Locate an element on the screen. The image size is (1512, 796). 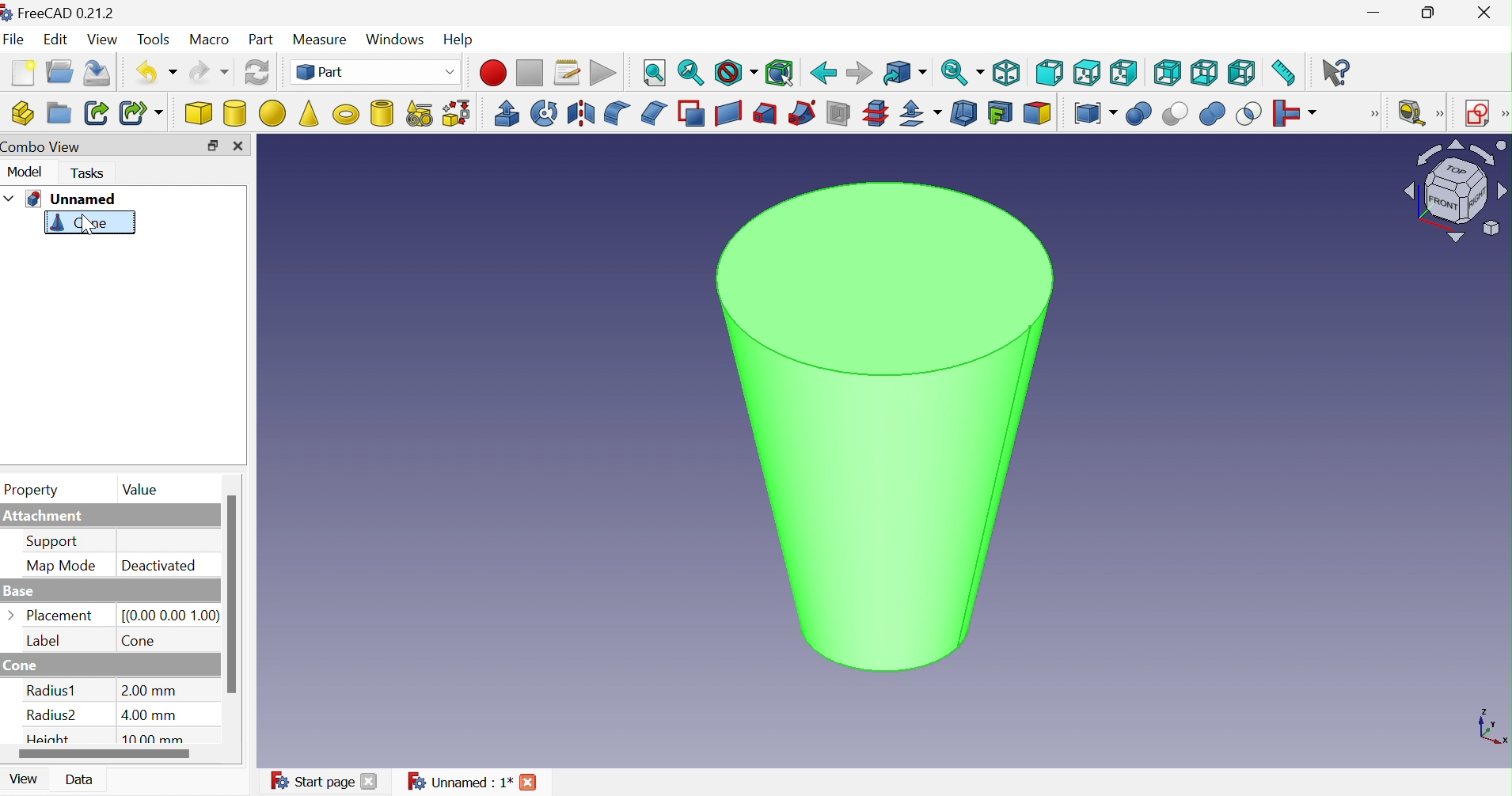
Undo is located at coordinates (157, 72).